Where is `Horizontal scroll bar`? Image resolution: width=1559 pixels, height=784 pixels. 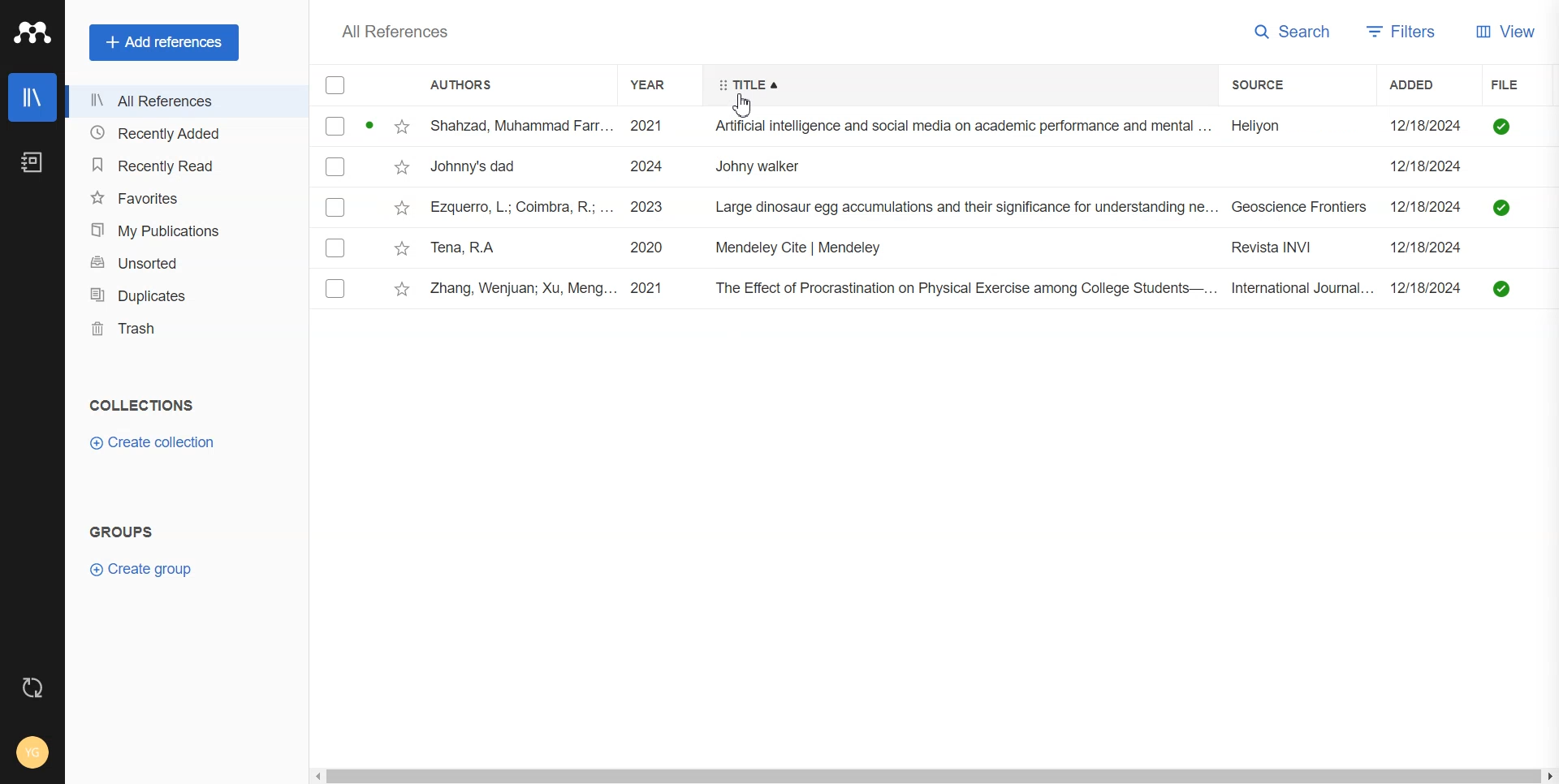
Horizontal scroll bar is located at coordinates (931, 774).